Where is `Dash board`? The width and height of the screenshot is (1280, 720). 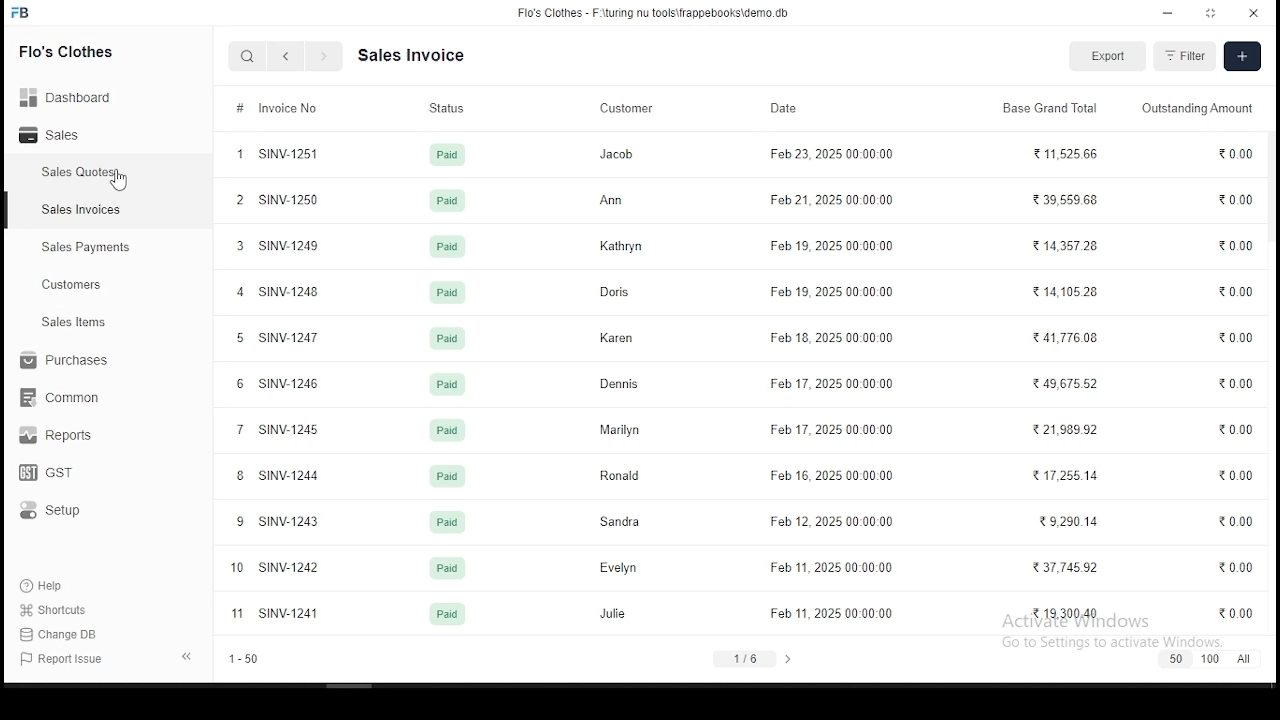 Dash board is located at coordinates (407, 56).